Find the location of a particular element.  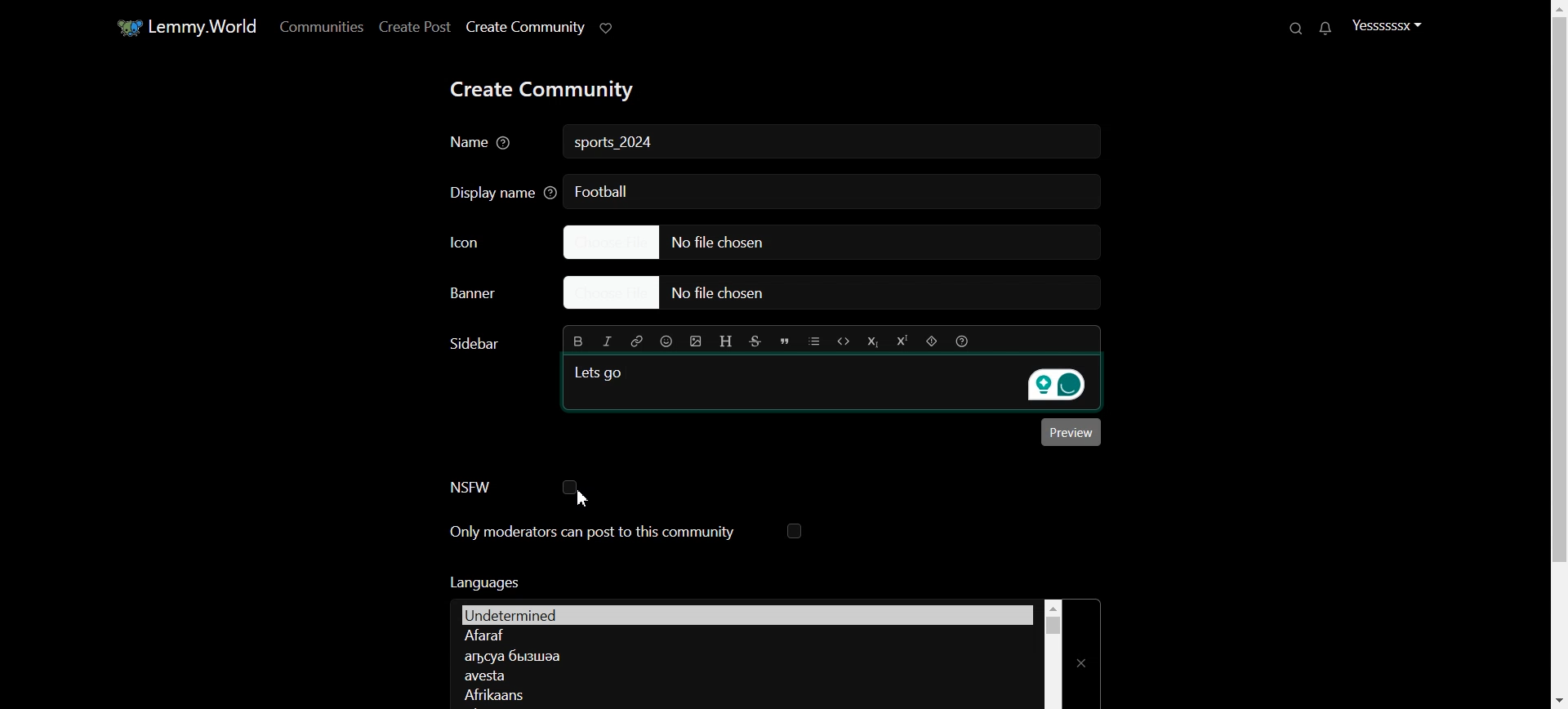

Create Community is located at coordinates (524, 27).